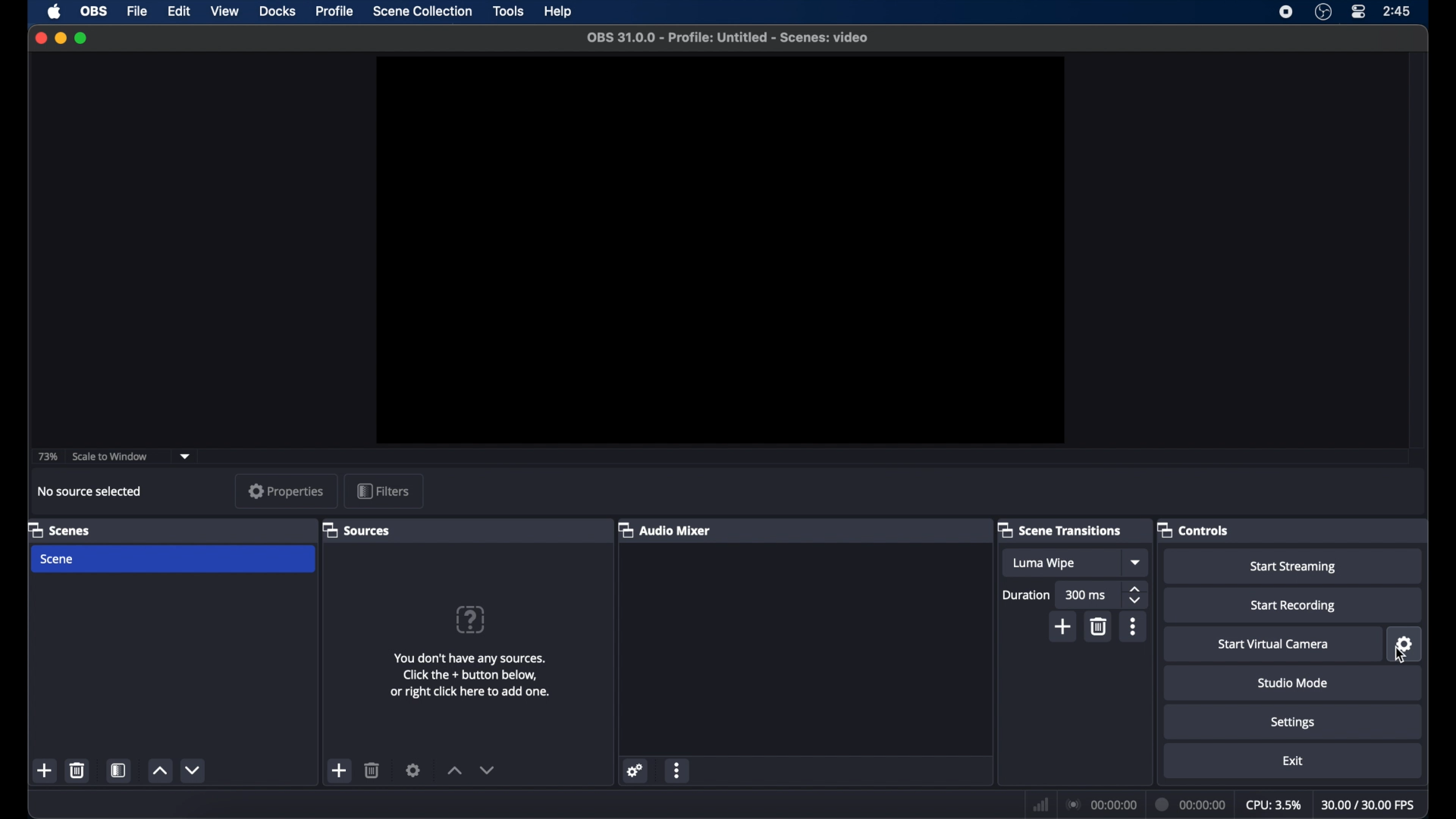 This screenshot has width=1456, height=819. I want to click on increment, so click(453, 770).